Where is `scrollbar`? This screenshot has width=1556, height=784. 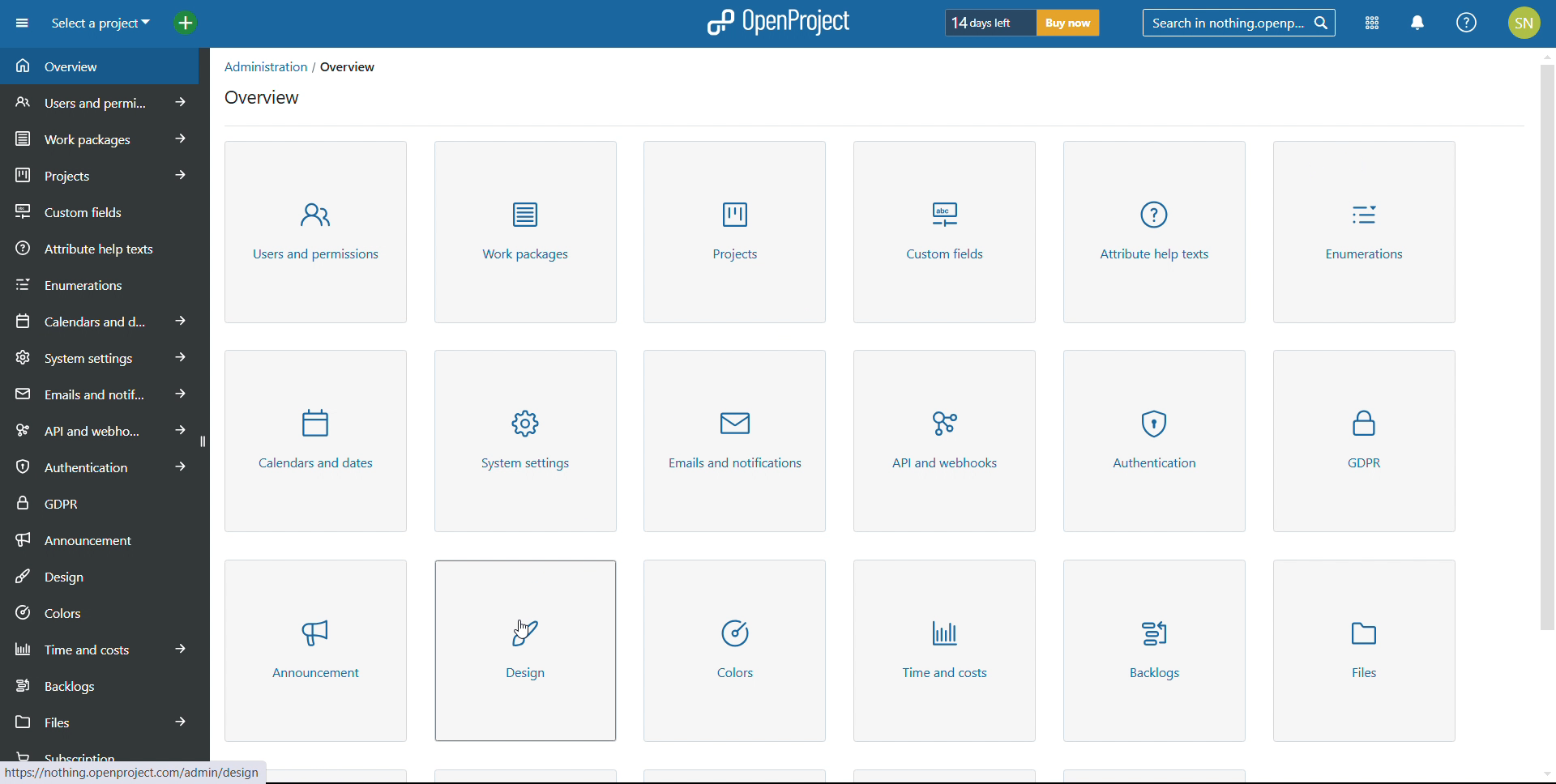
scrollbar is located at coordinates (1548, 346).